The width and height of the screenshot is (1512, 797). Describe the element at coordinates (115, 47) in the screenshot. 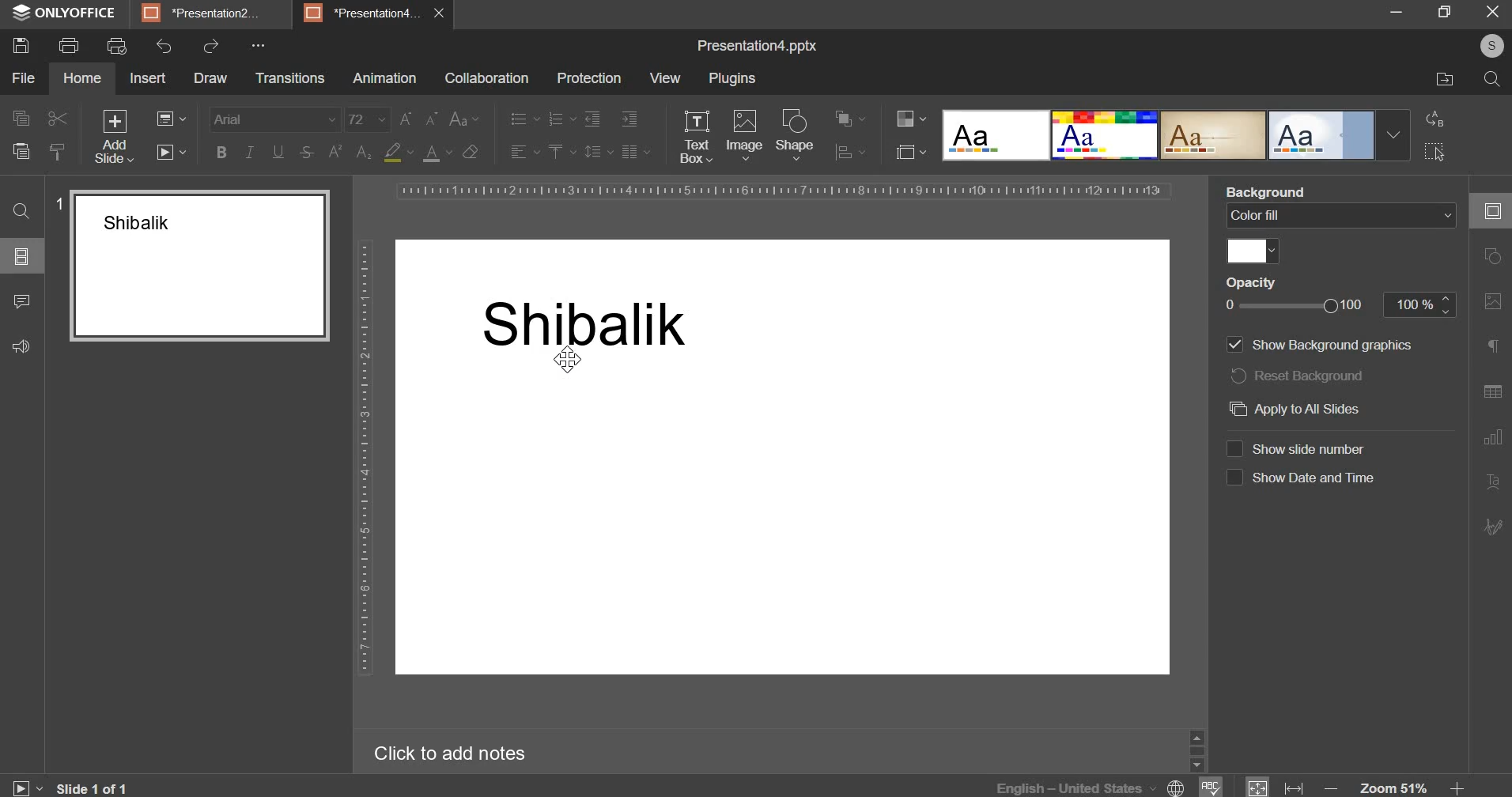

I see `print preview` at that location.